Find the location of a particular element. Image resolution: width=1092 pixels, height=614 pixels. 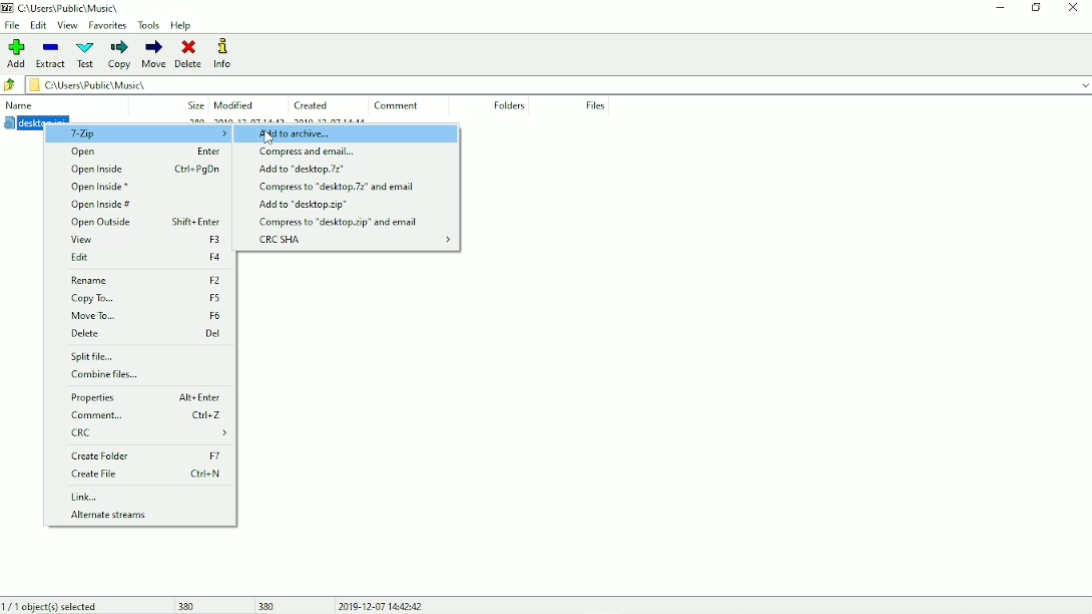

desktop.ini is located at coordinates (184, 120).